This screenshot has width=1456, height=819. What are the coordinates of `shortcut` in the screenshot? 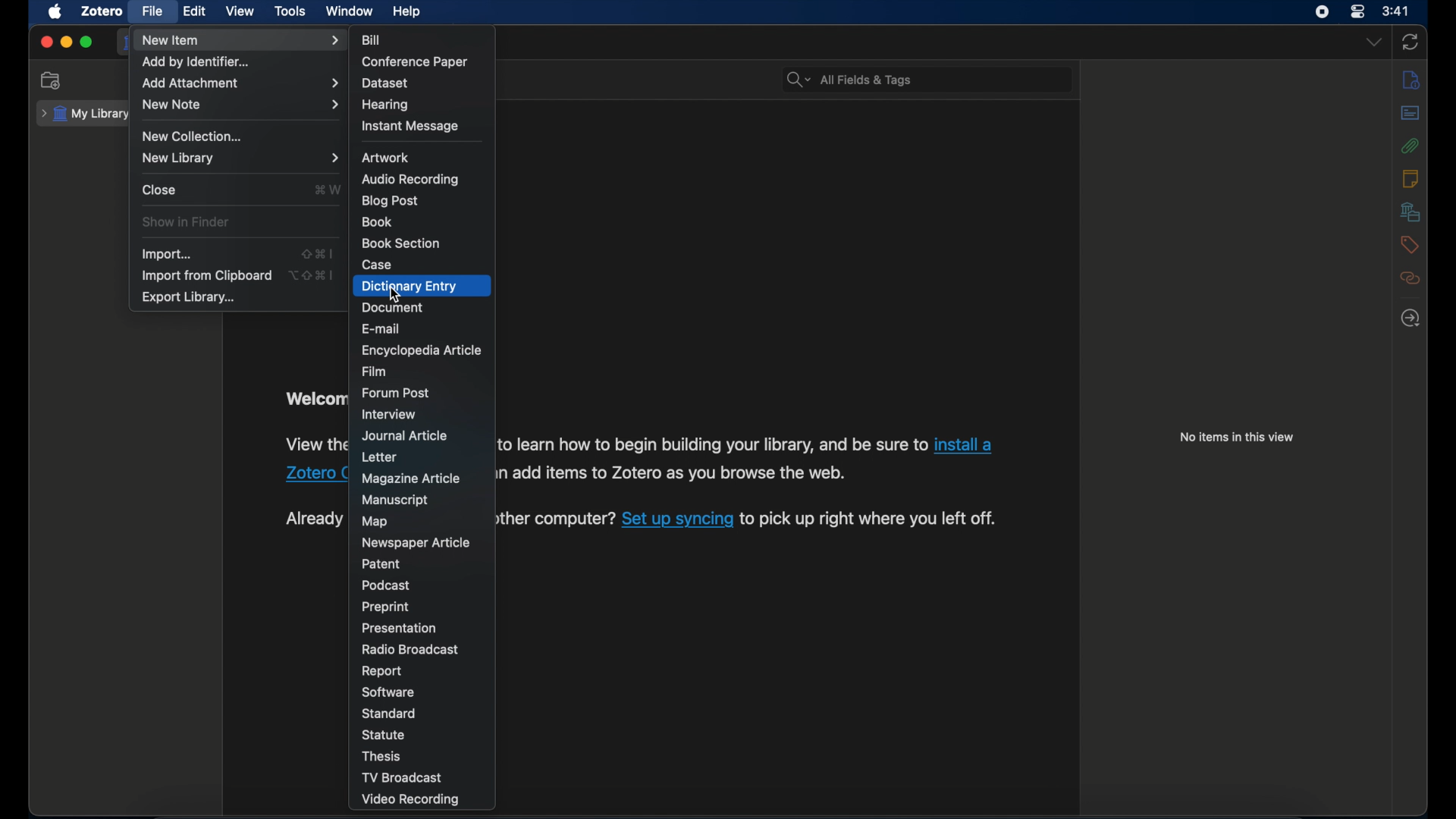 It's located at (313, 275).